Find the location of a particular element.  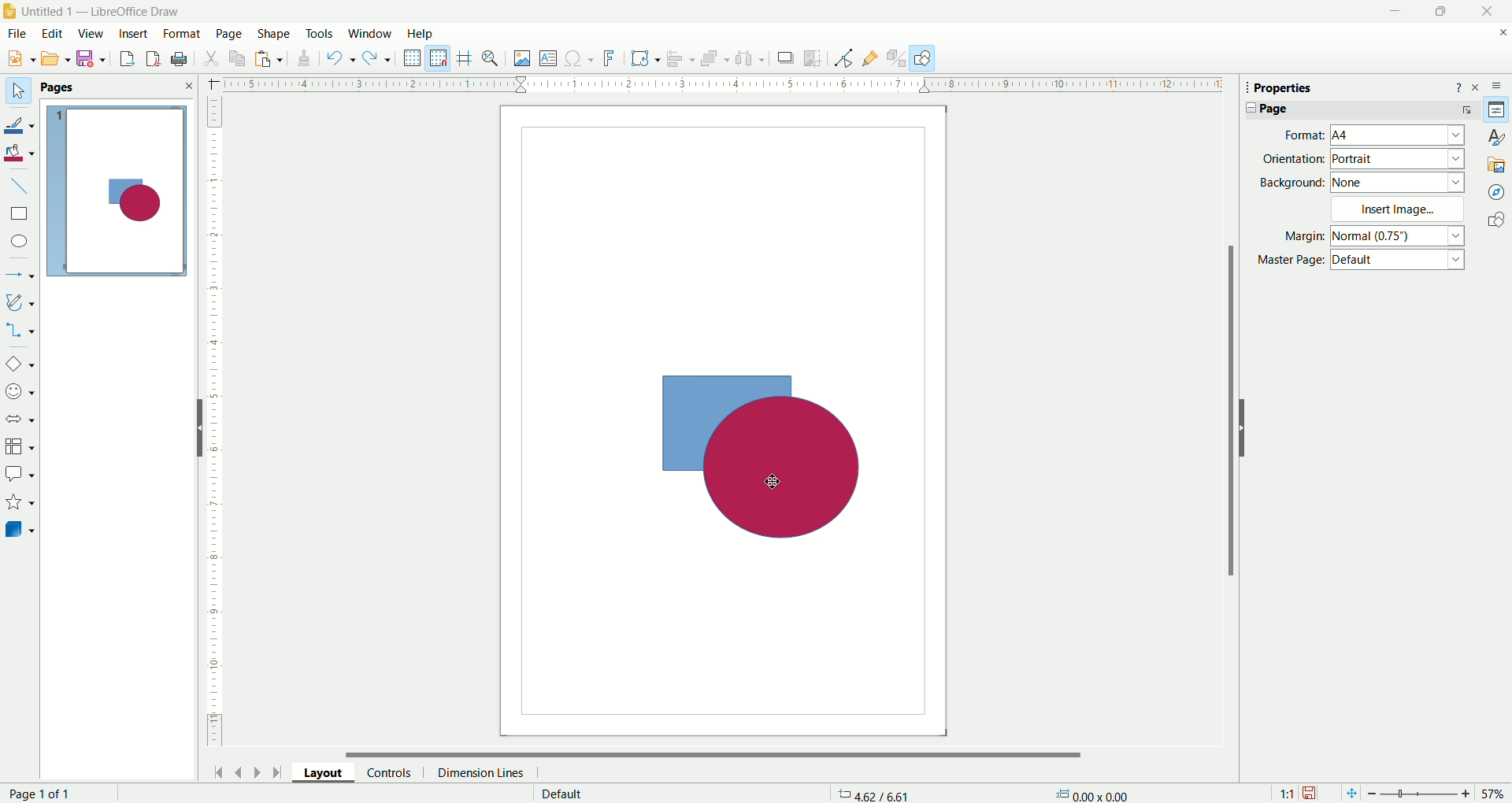

previous page is located at coordinates (240, 770).